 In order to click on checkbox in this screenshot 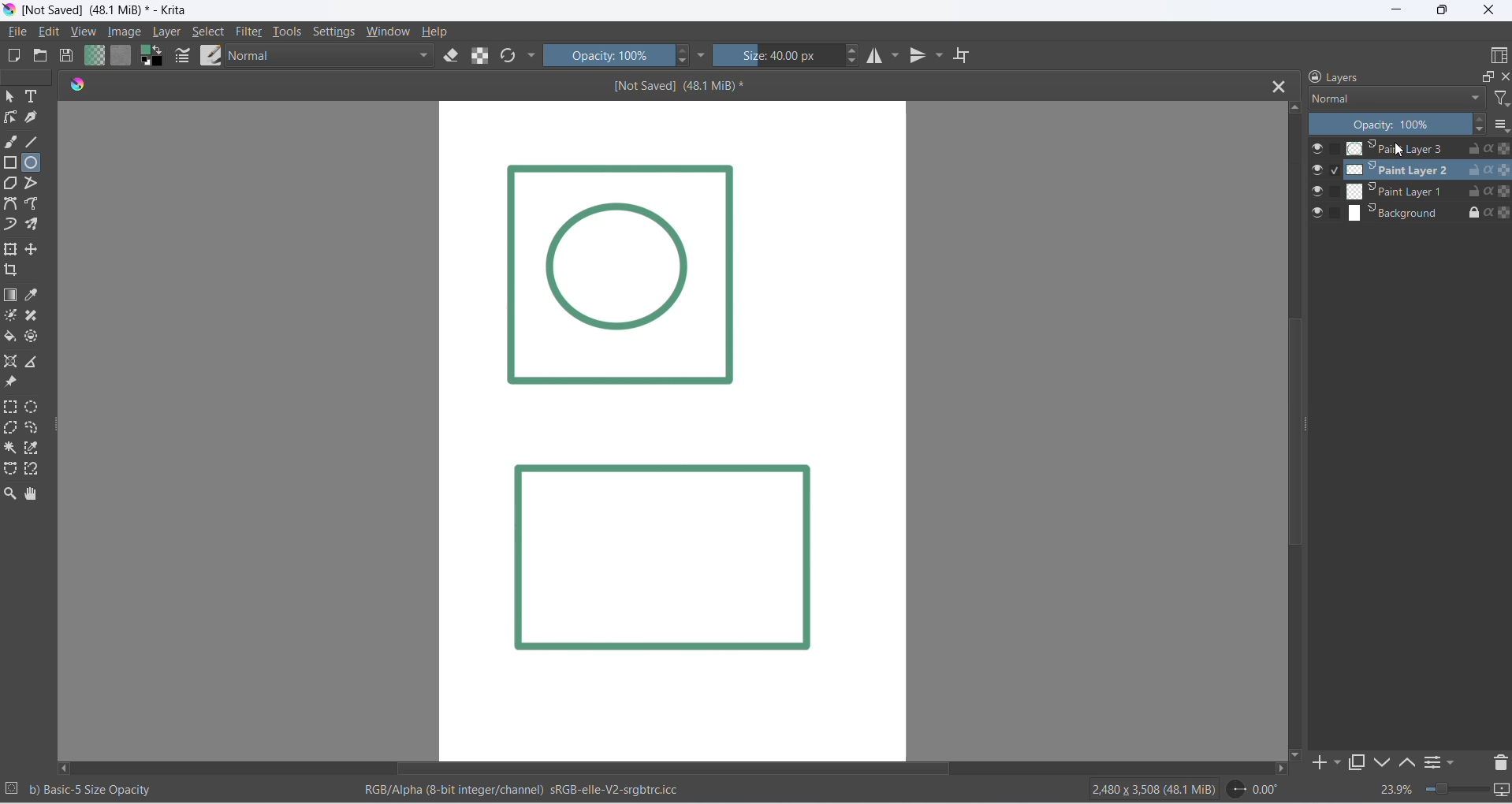, I will do `click(1337, 148)`.